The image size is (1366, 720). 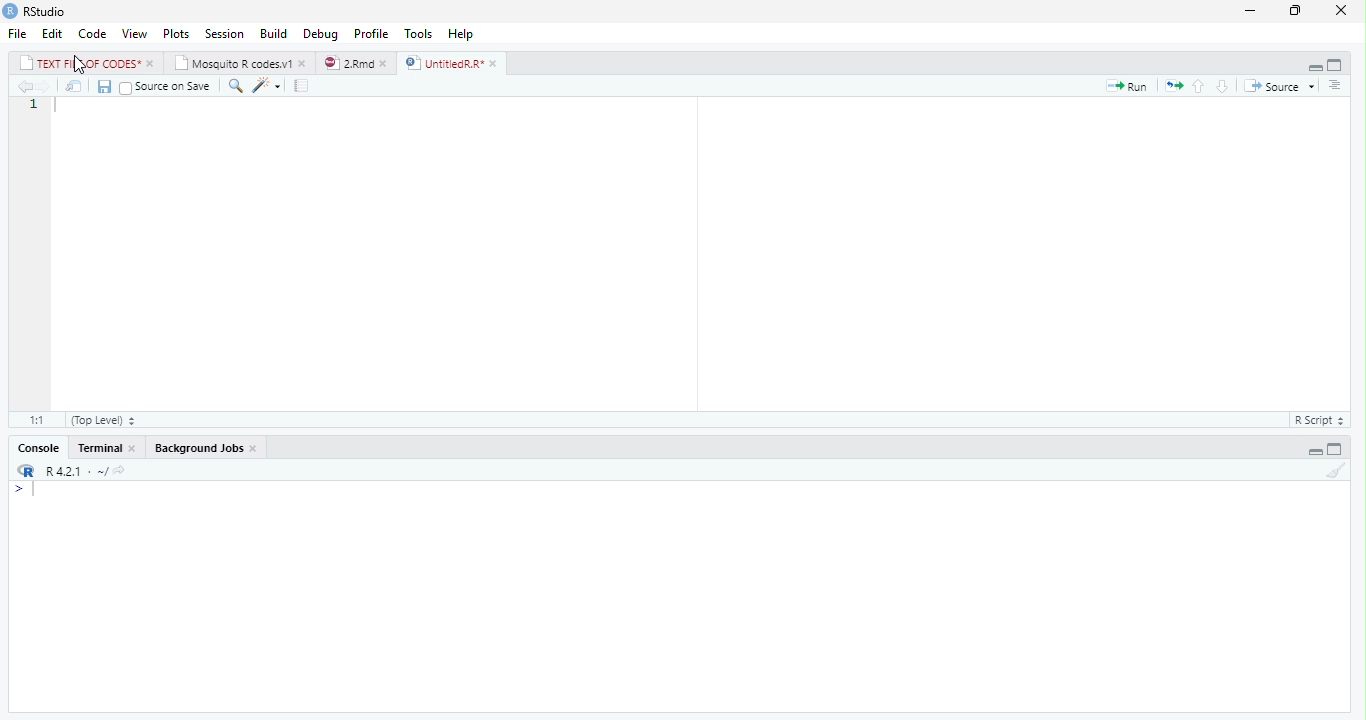 What do you see at coordinates (421, 33) in the screenshot?
I see `Tools` at bounding box center [421, 33].